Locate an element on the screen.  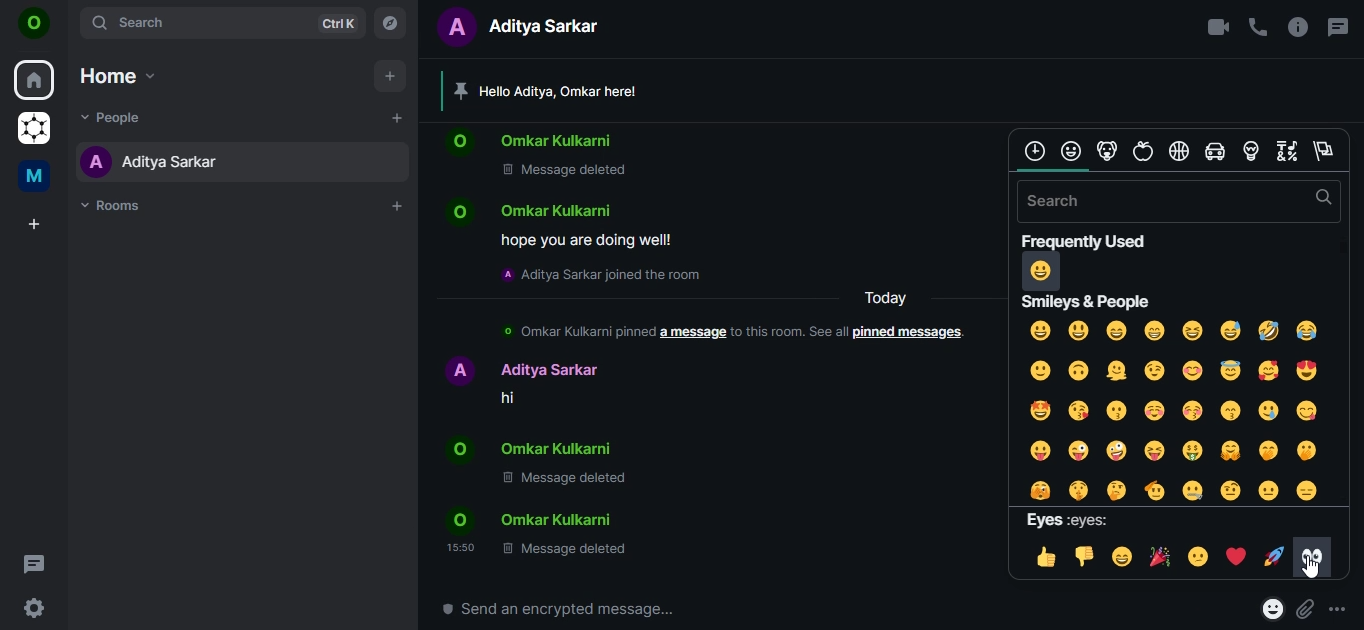
face with handover mouth is located at coordinates (1270, 451).